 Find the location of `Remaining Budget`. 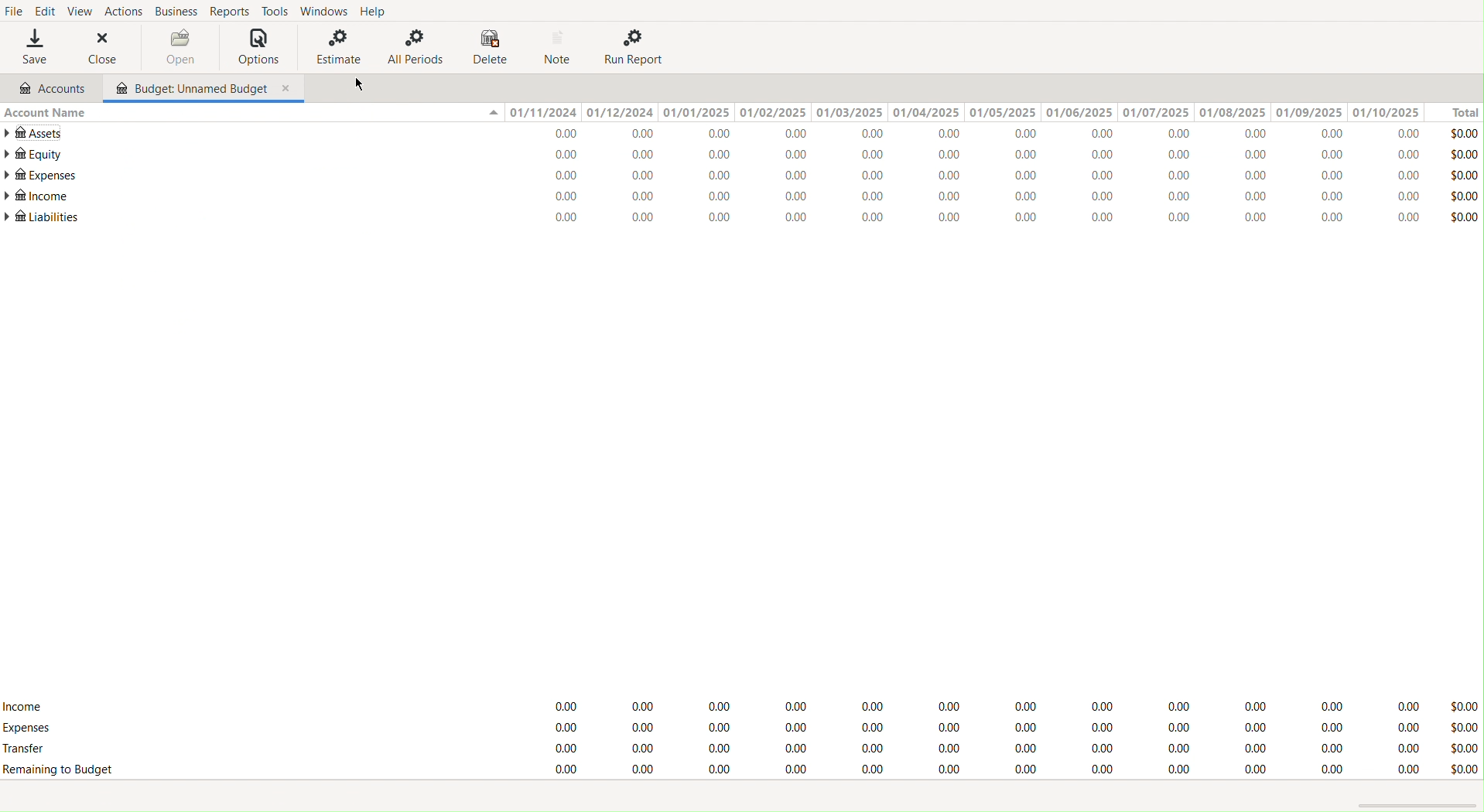

Remaining Budget is located at coordinates (67, 769).